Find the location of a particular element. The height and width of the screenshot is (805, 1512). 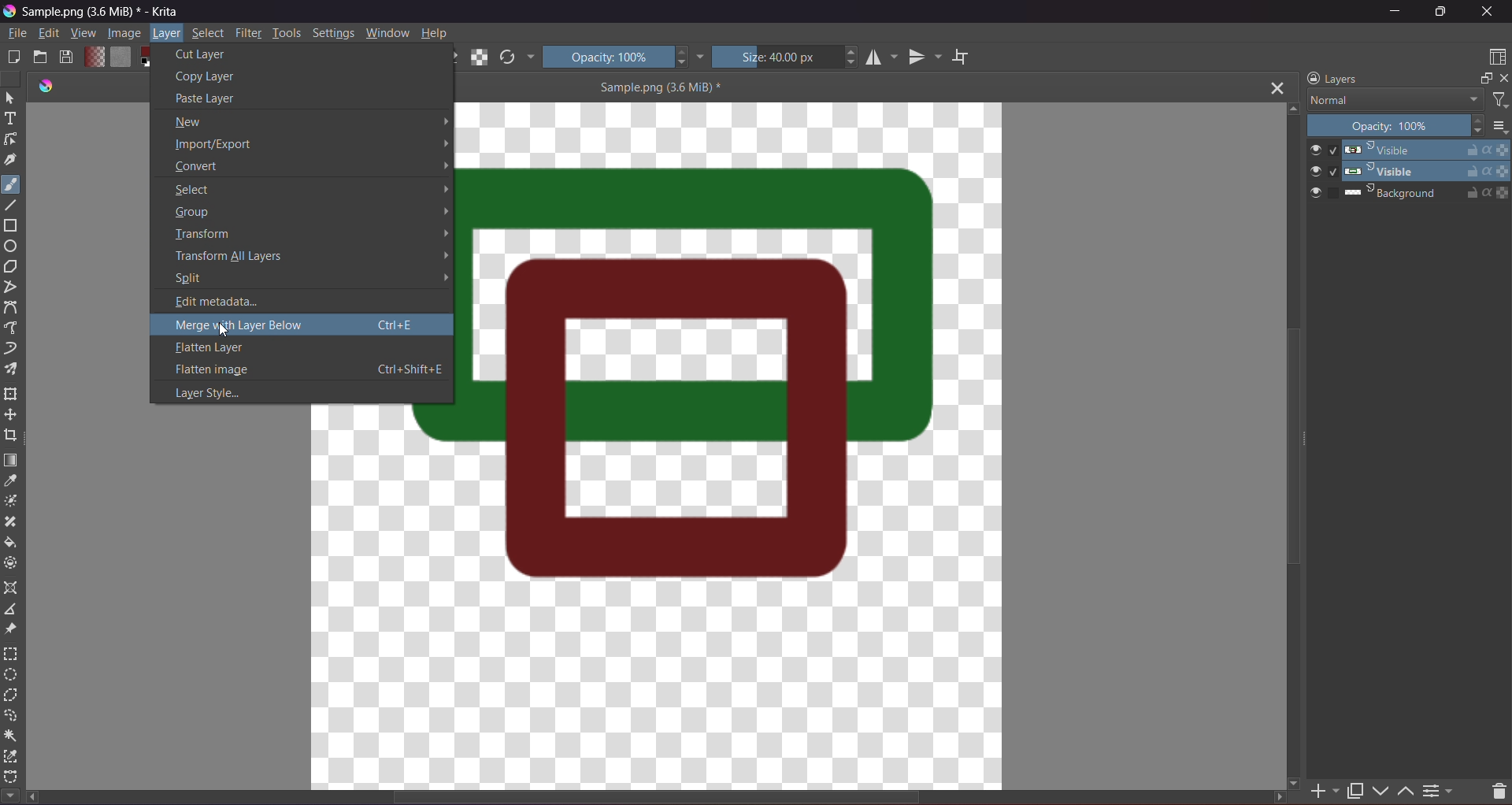

Filter is located at coordinates (1499, 100).